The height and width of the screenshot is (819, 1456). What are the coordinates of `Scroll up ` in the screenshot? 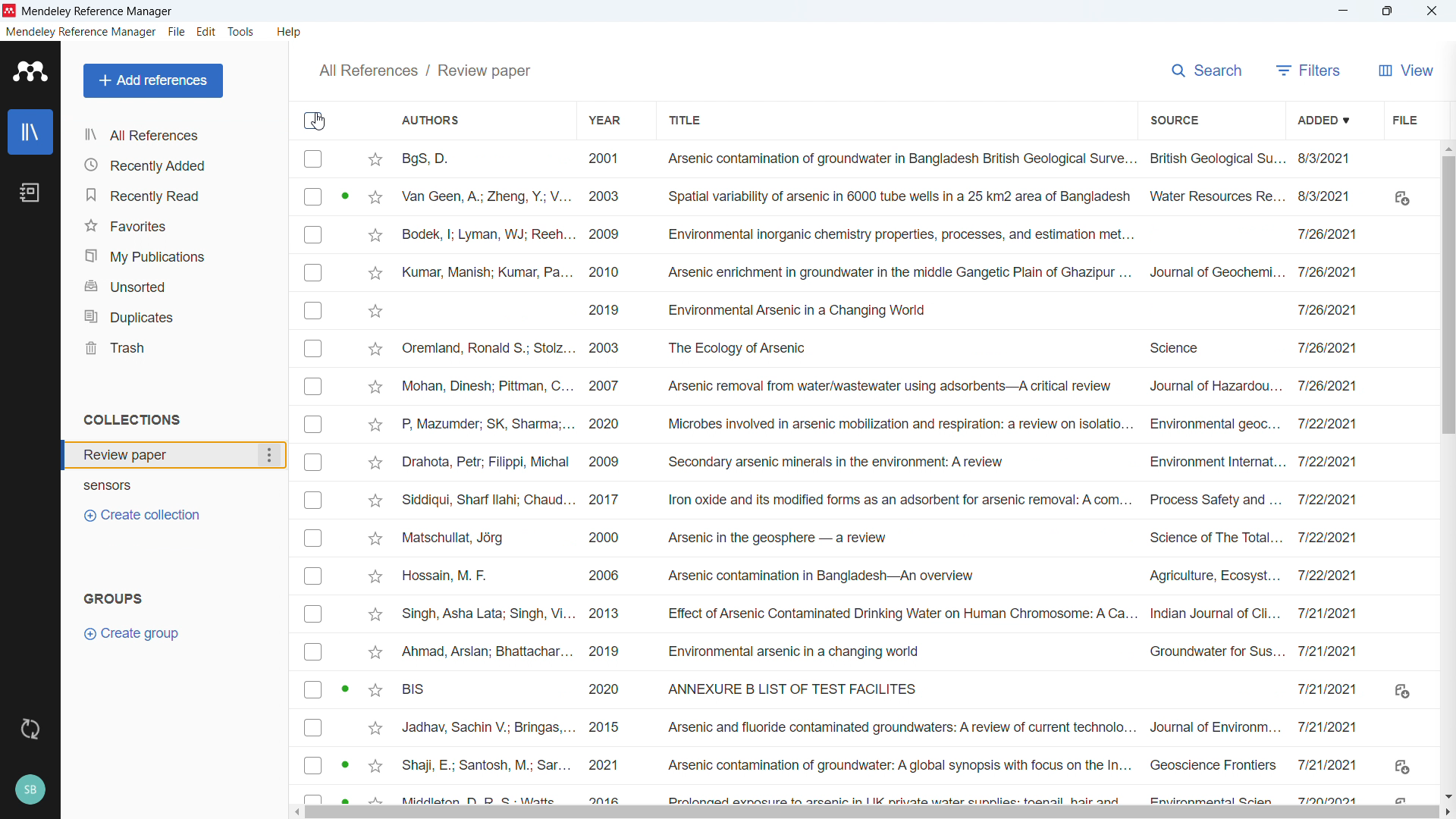 It's located at (1447, 147).